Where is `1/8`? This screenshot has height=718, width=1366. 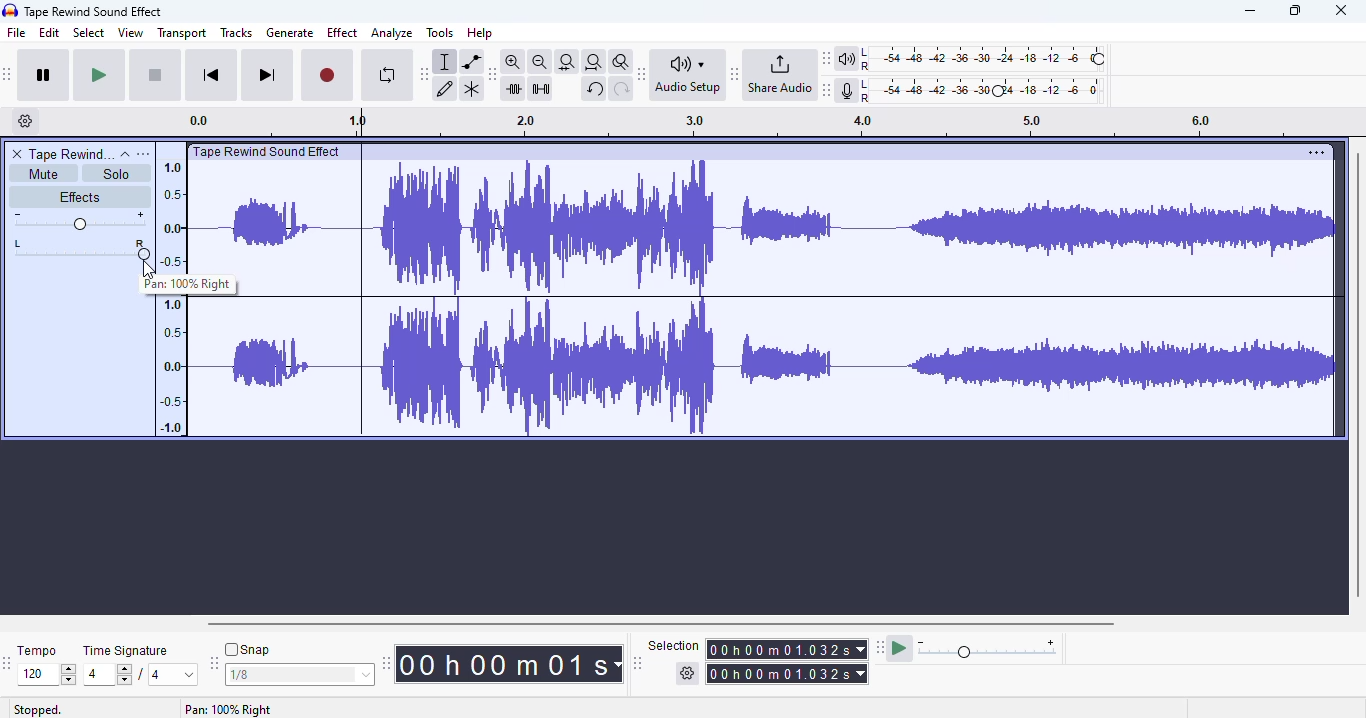
1/8 is located at coordinates (298, 675).